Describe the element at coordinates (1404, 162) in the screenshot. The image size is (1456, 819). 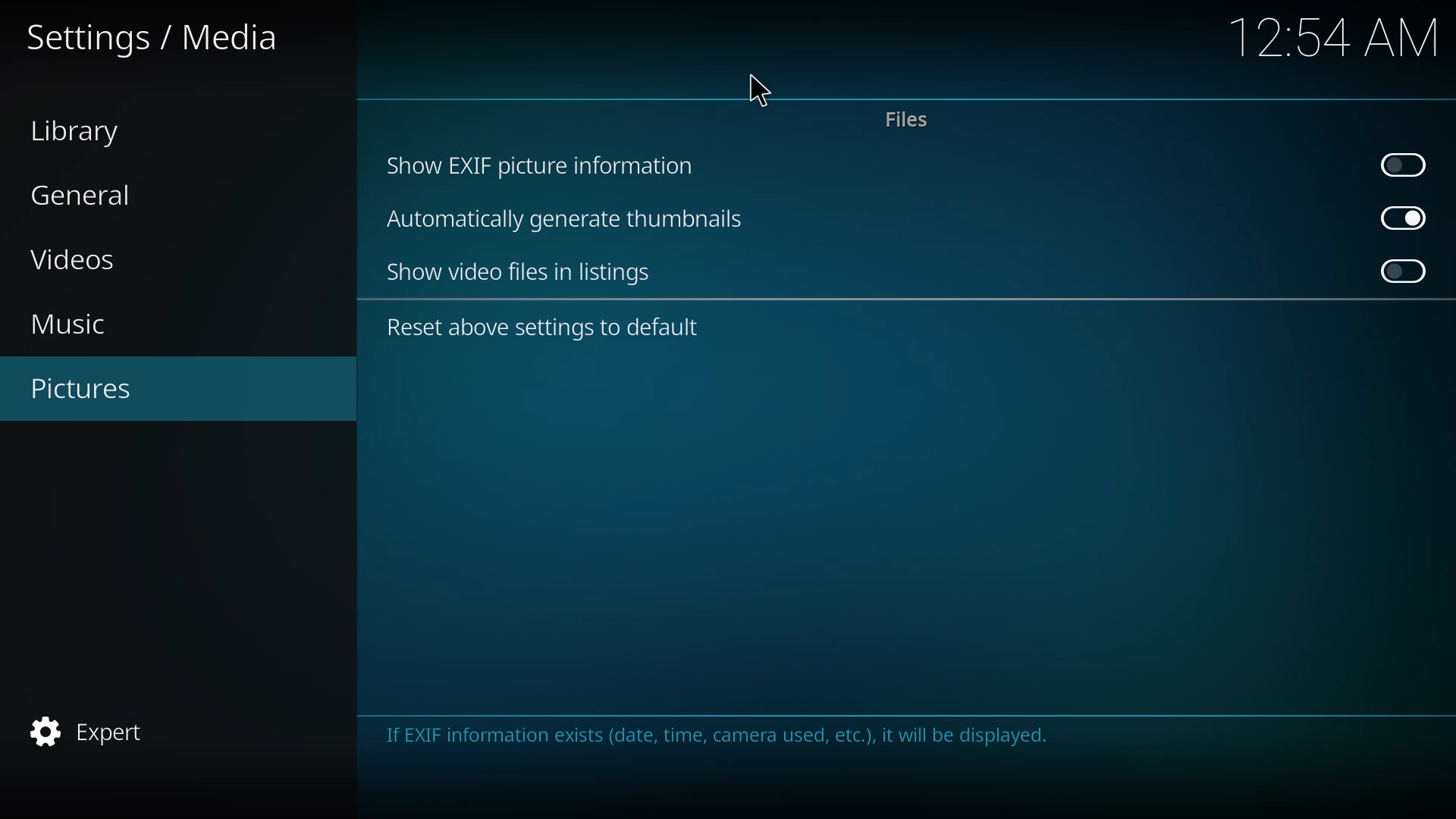
I see `disabled` at that location.